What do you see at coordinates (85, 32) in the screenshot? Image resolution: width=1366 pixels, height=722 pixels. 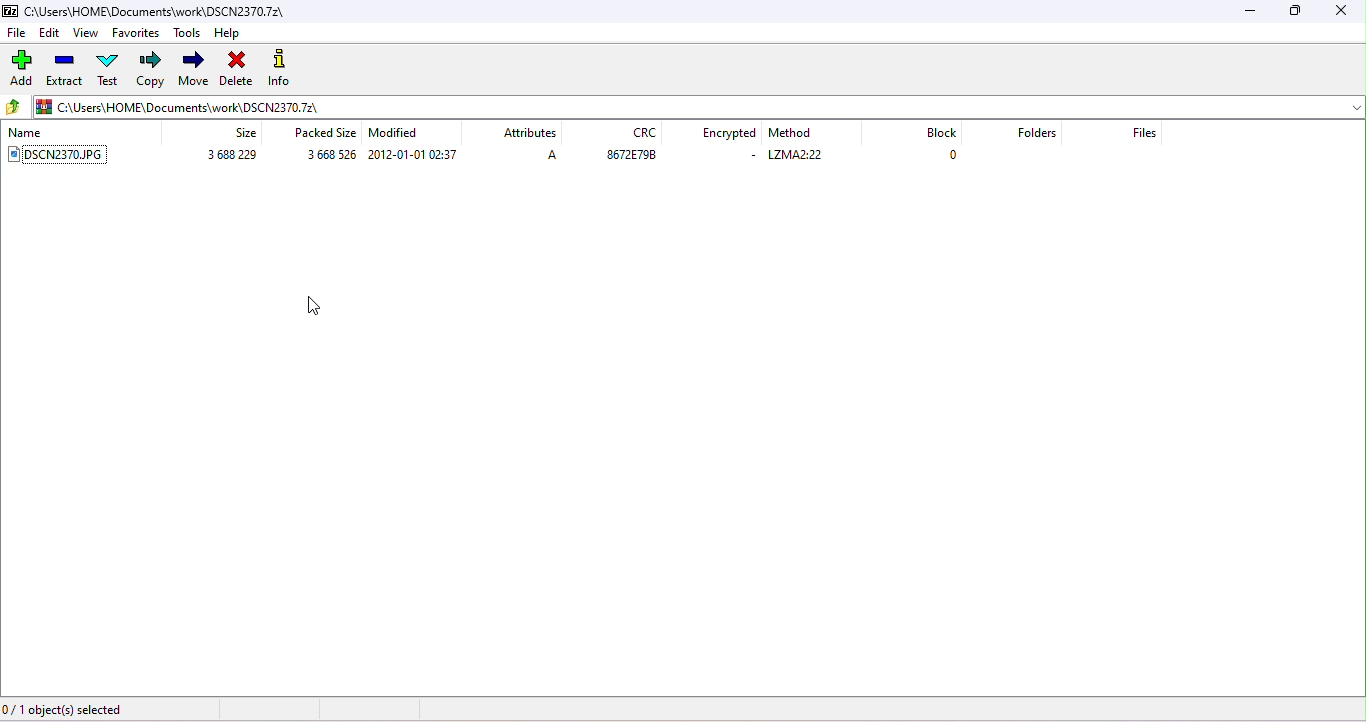 I see `view` at bounding box center [85, 32].